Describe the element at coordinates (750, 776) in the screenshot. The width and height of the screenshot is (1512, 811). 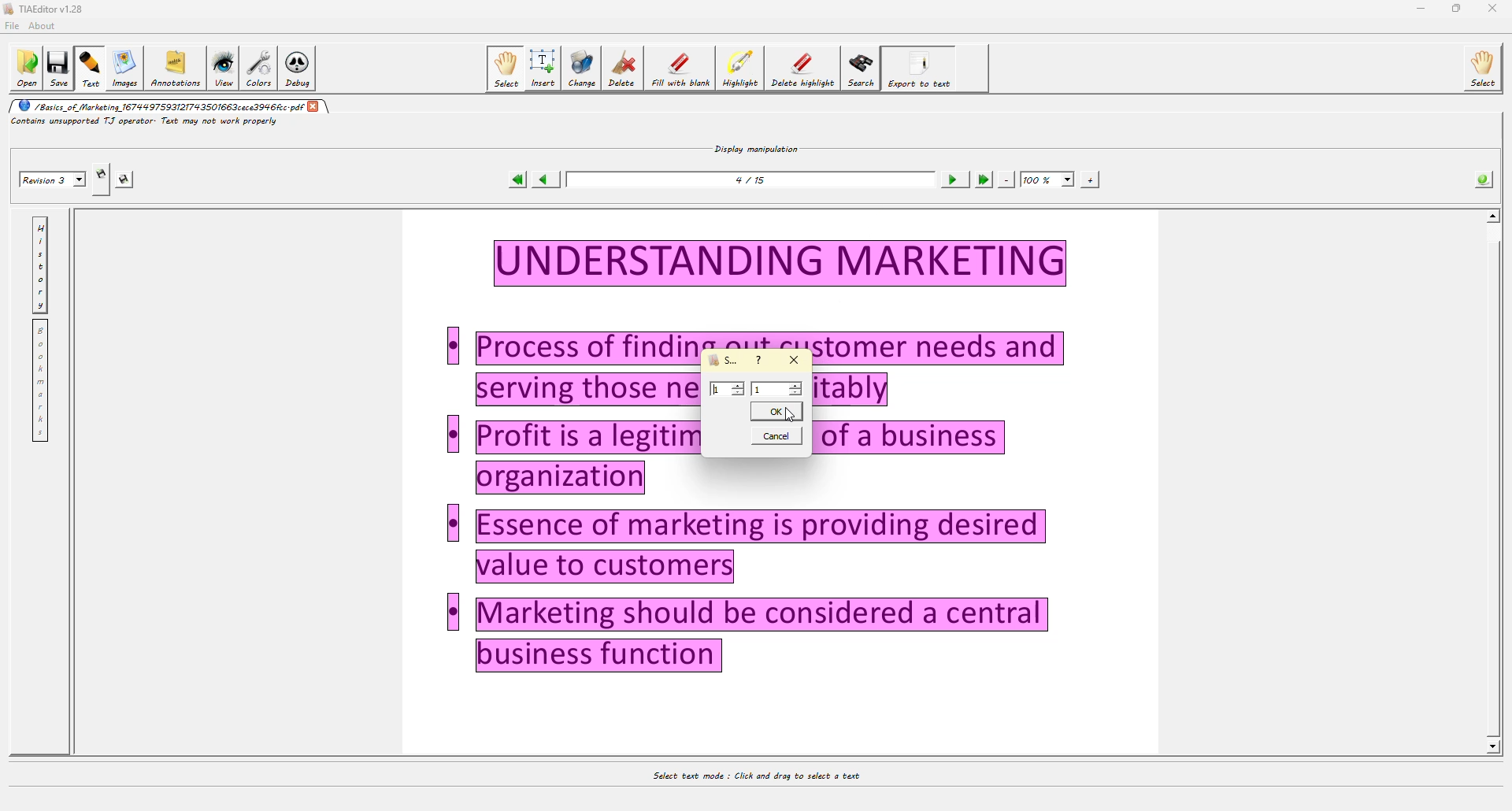
I see `select text mode` at that location.